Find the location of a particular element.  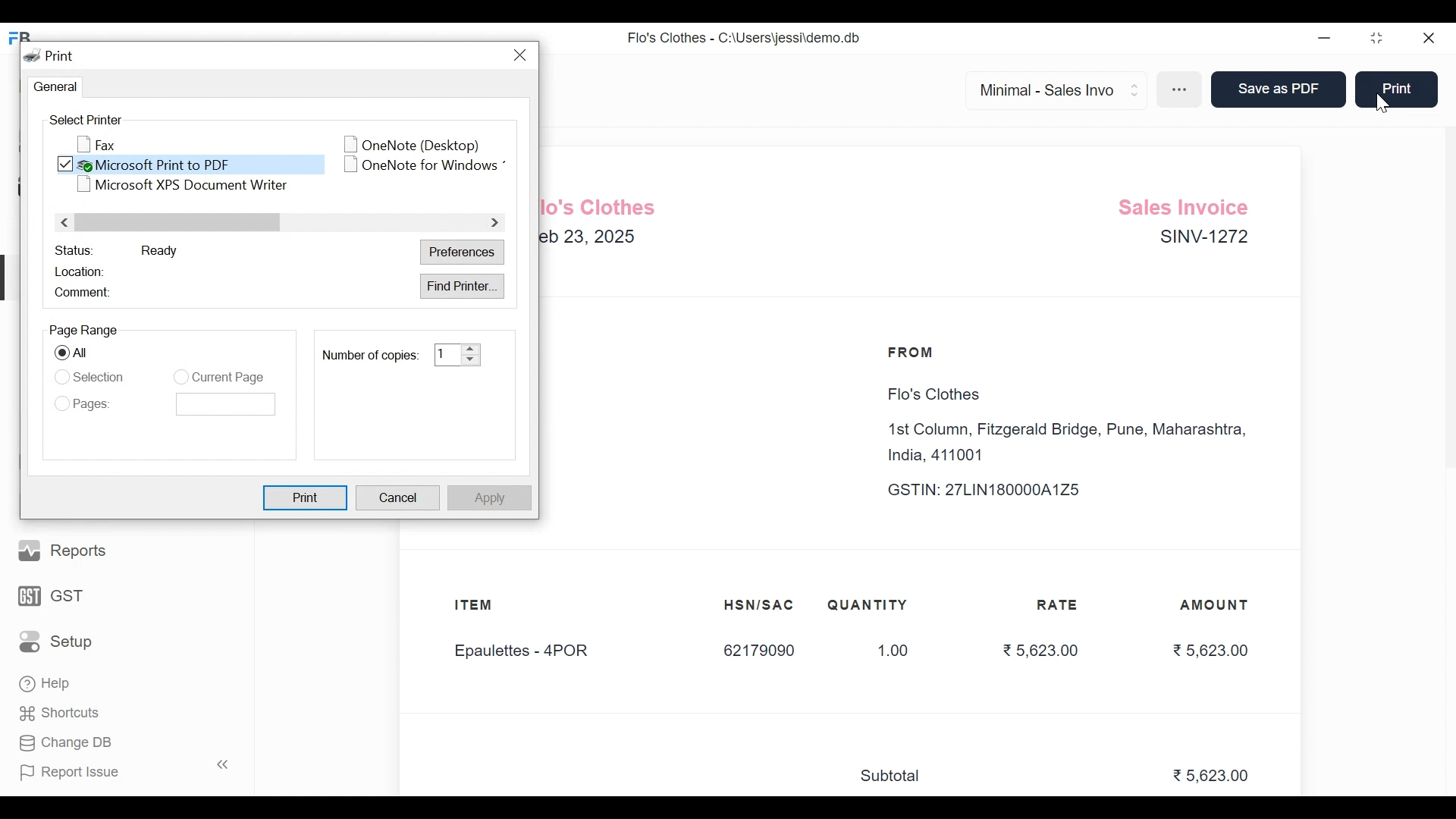

RATE is located at coordinates (1062, 605).